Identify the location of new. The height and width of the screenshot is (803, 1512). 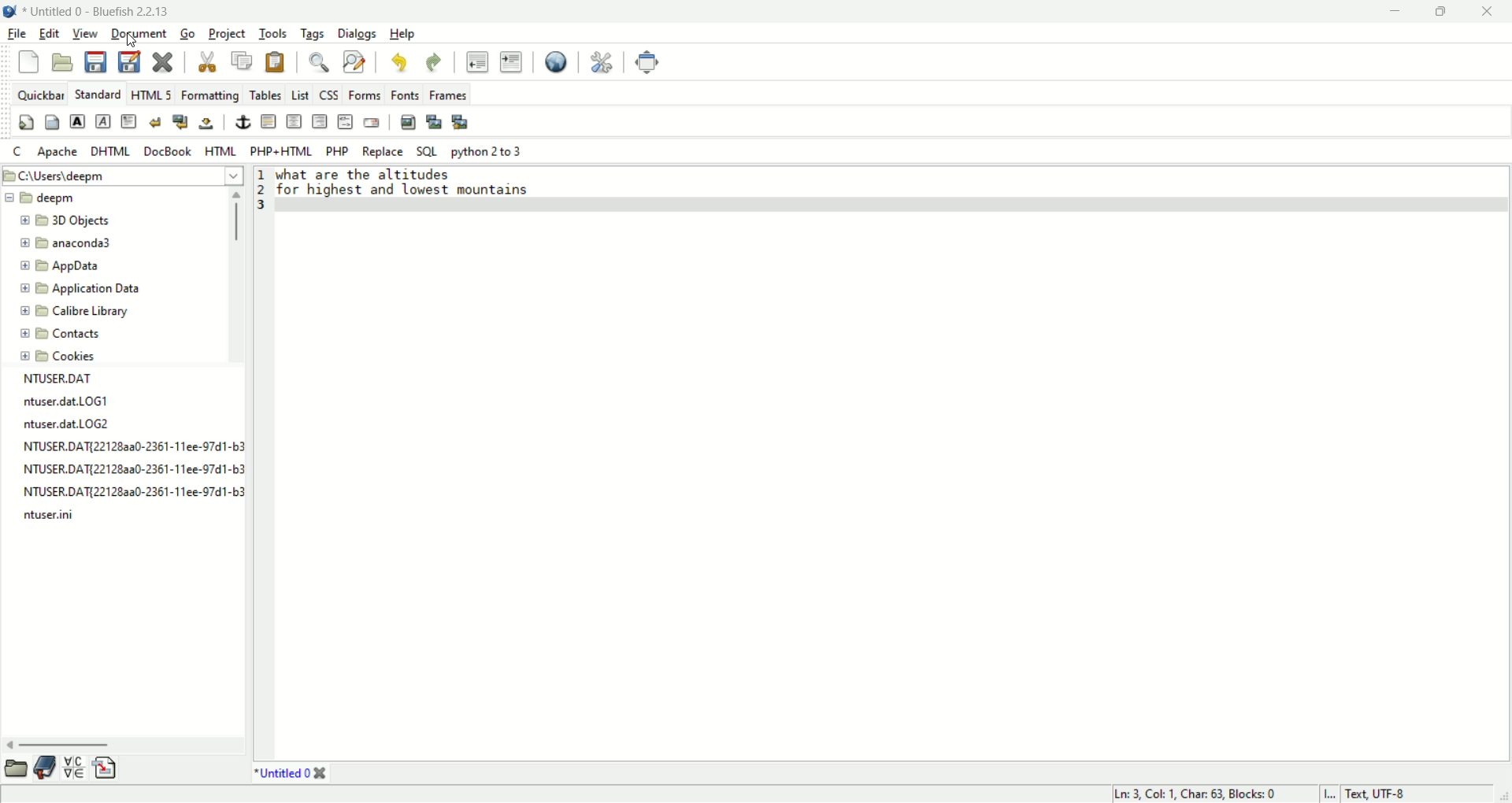
(29, 61).